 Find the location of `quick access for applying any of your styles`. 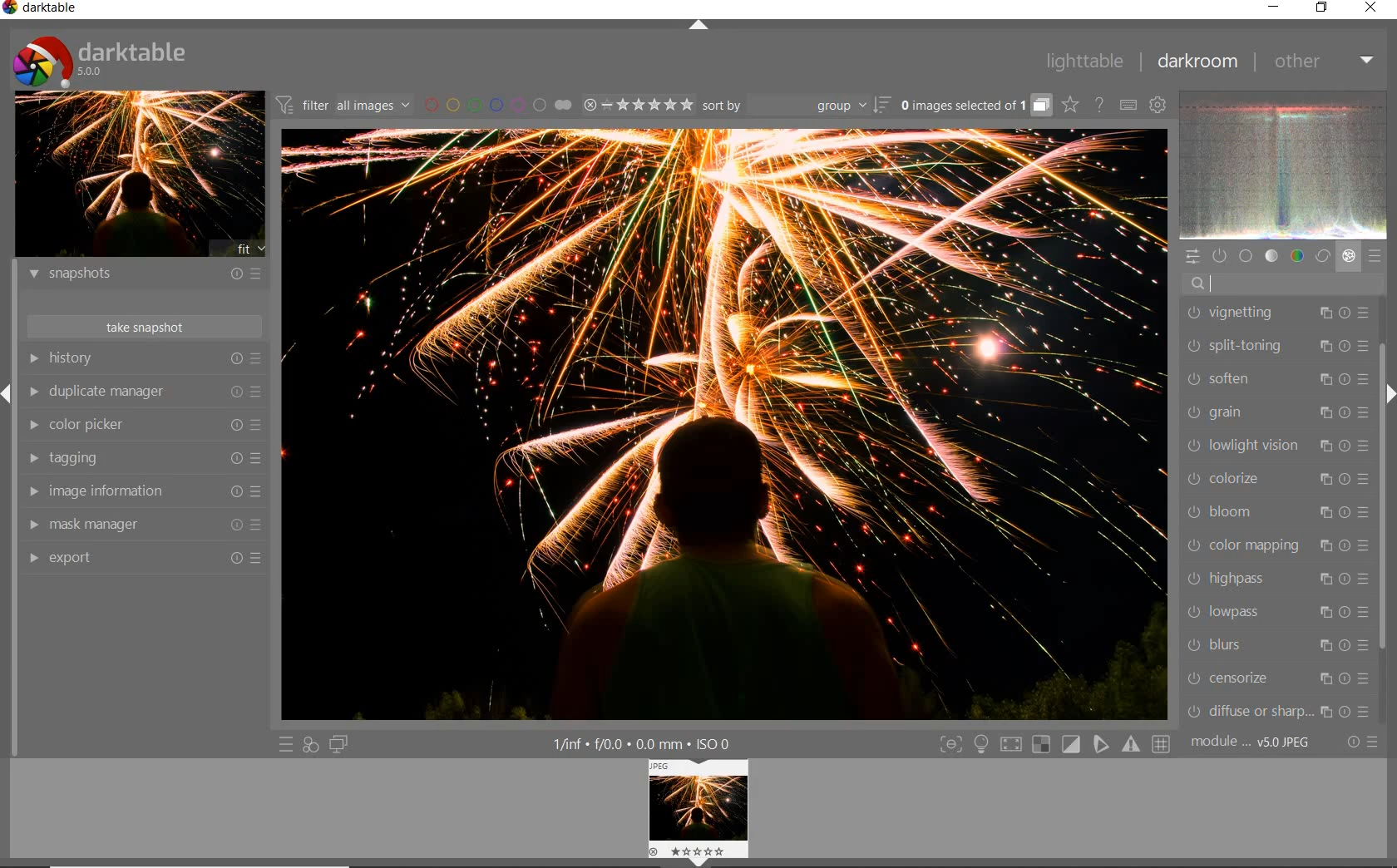

quick access for applying any of your styles is located at coordinates (311, 745).